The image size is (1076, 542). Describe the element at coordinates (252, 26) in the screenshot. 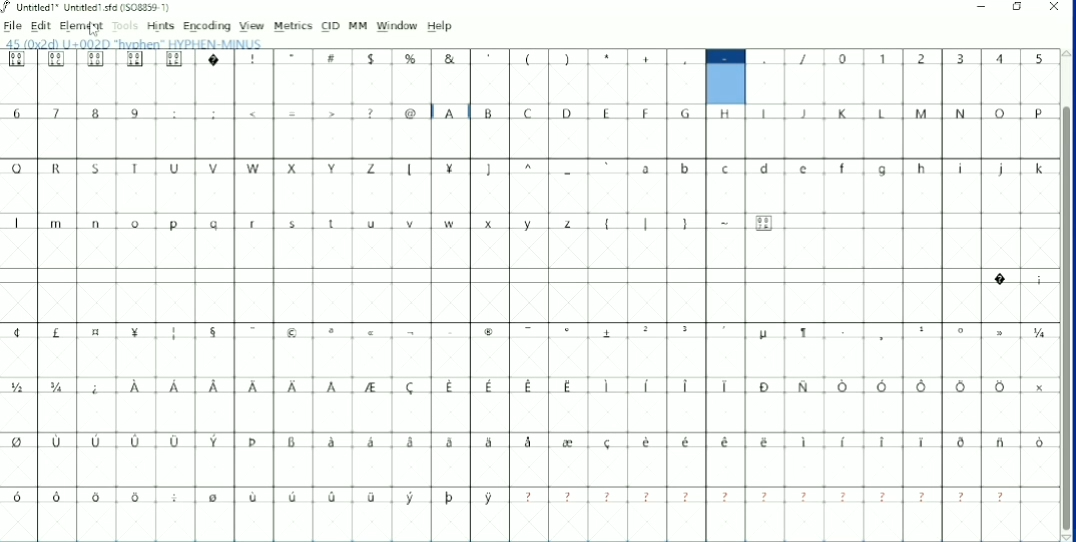

I see `View` at that location.